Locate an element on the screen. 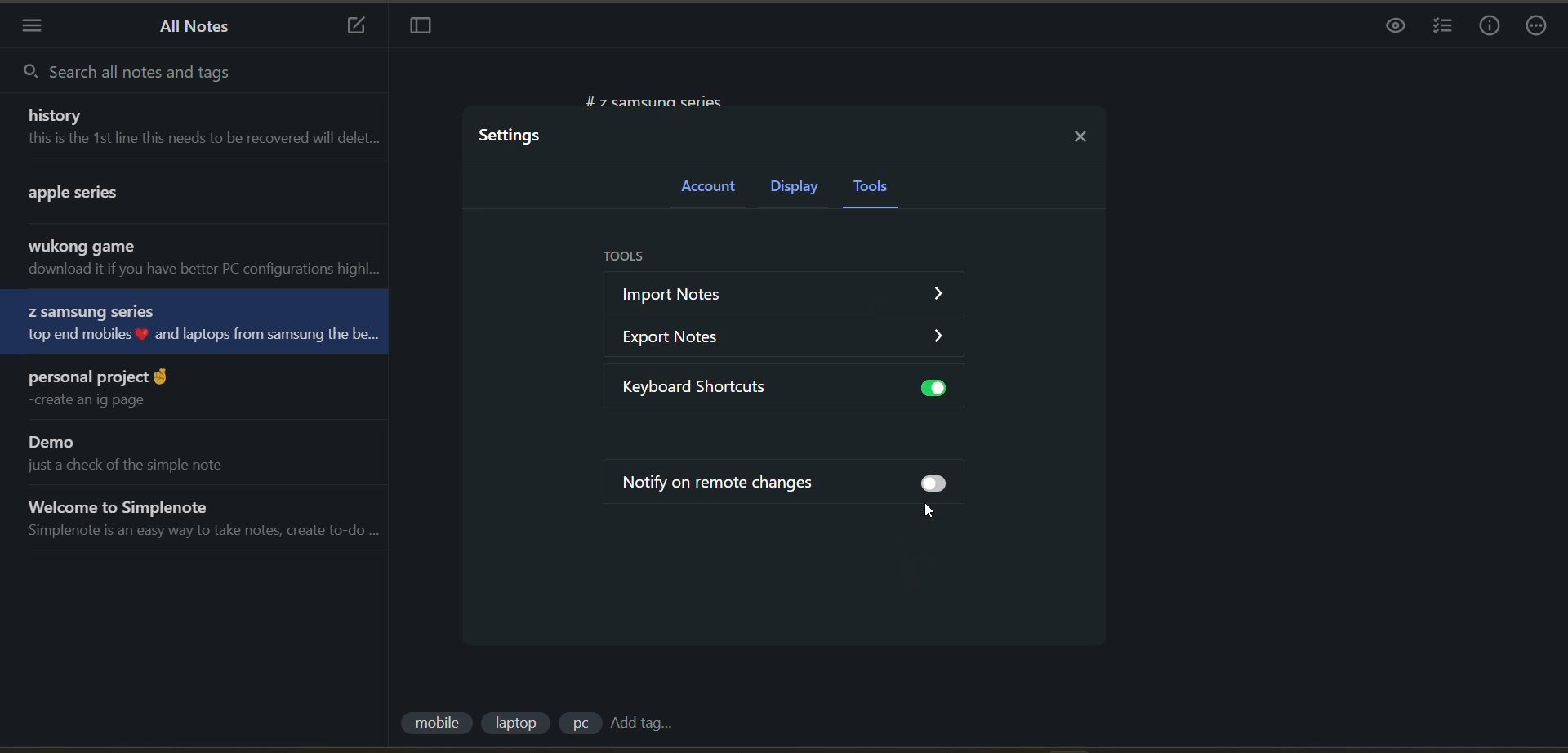 This screenshot has width=1568, height=753. toggle on is located at coordinates (939, 483).